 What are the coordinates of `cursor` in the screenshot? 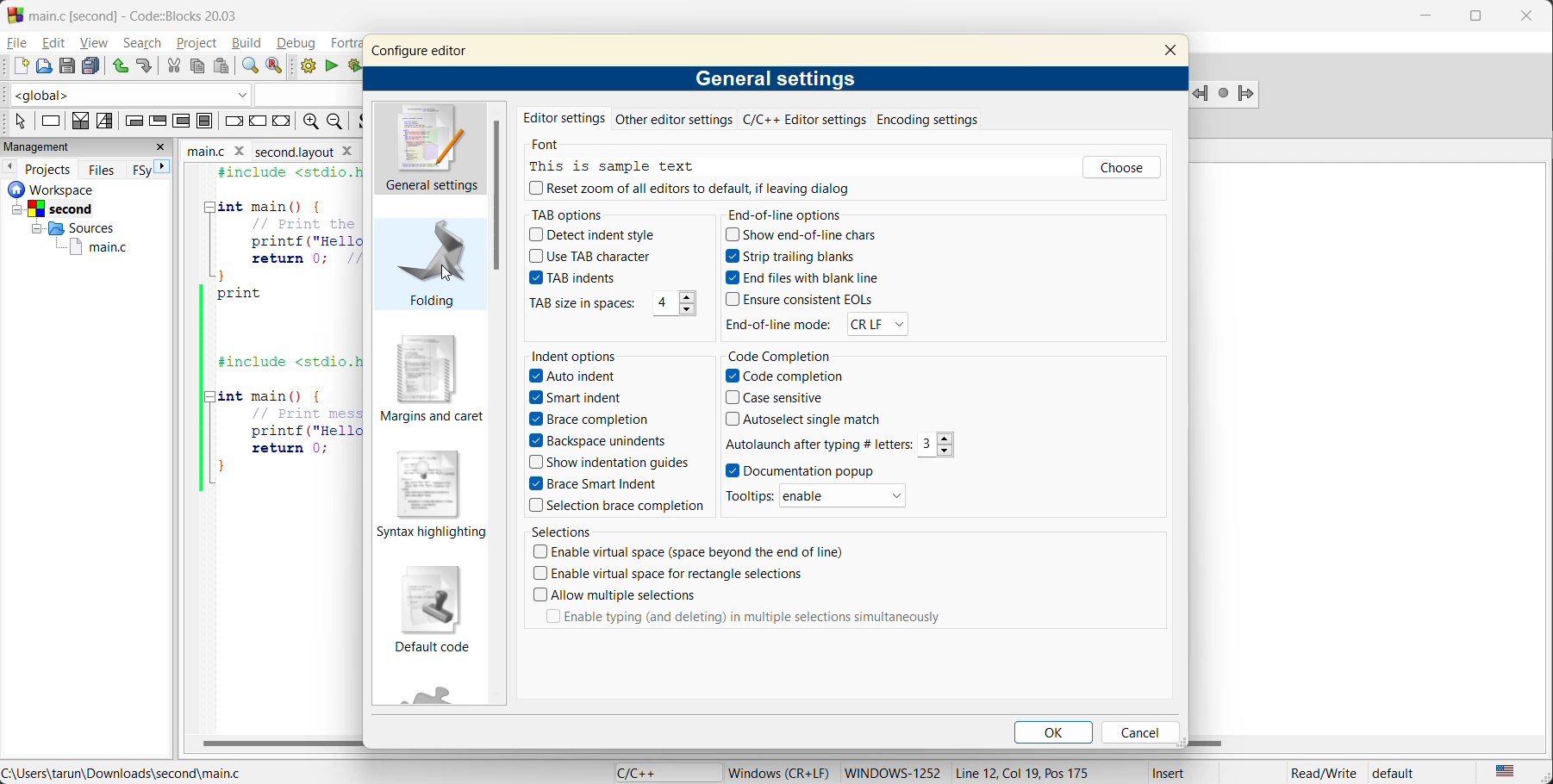 It's located at (444, 273).